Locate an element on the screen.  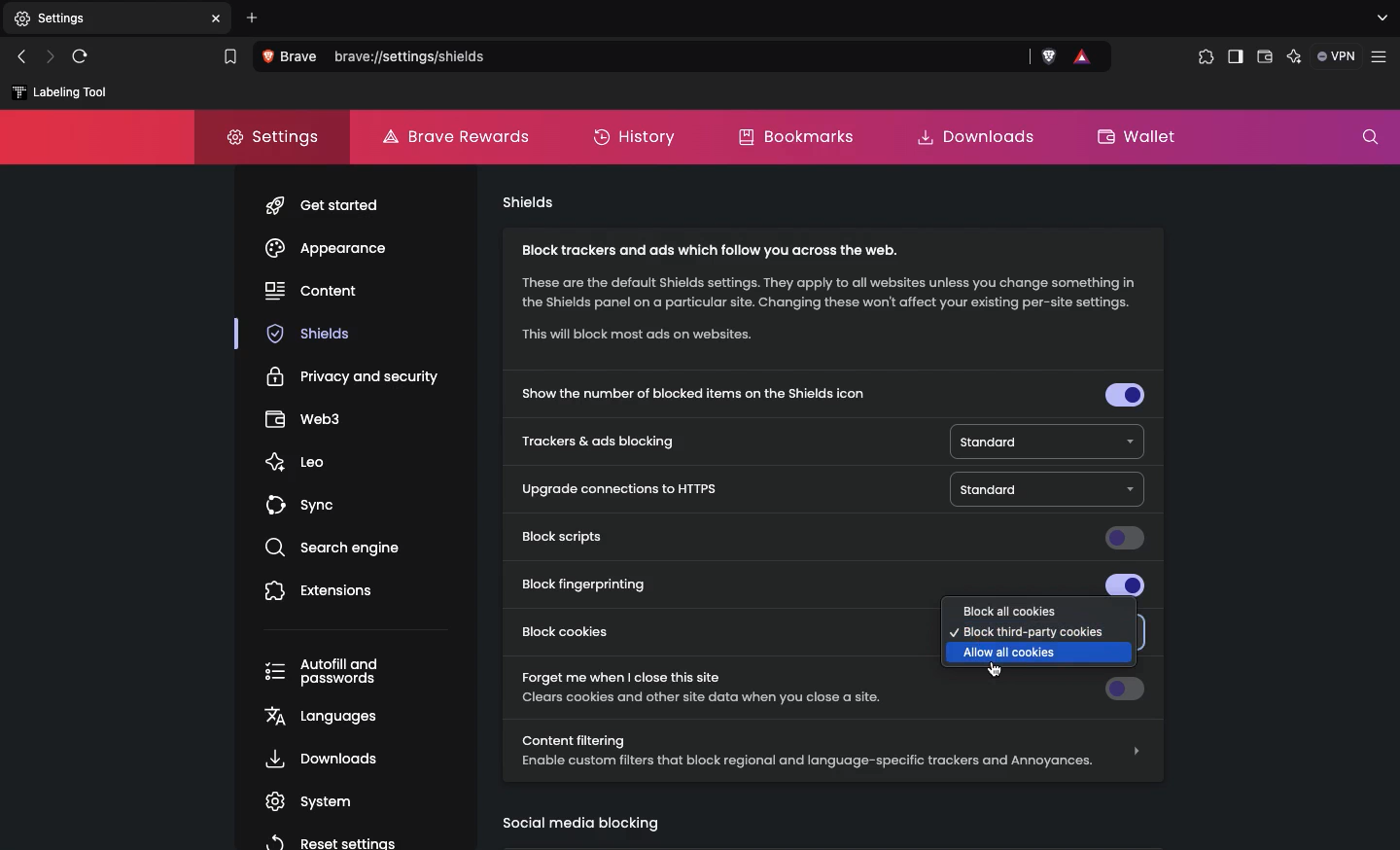
get started is located at coordinates (334, 204).